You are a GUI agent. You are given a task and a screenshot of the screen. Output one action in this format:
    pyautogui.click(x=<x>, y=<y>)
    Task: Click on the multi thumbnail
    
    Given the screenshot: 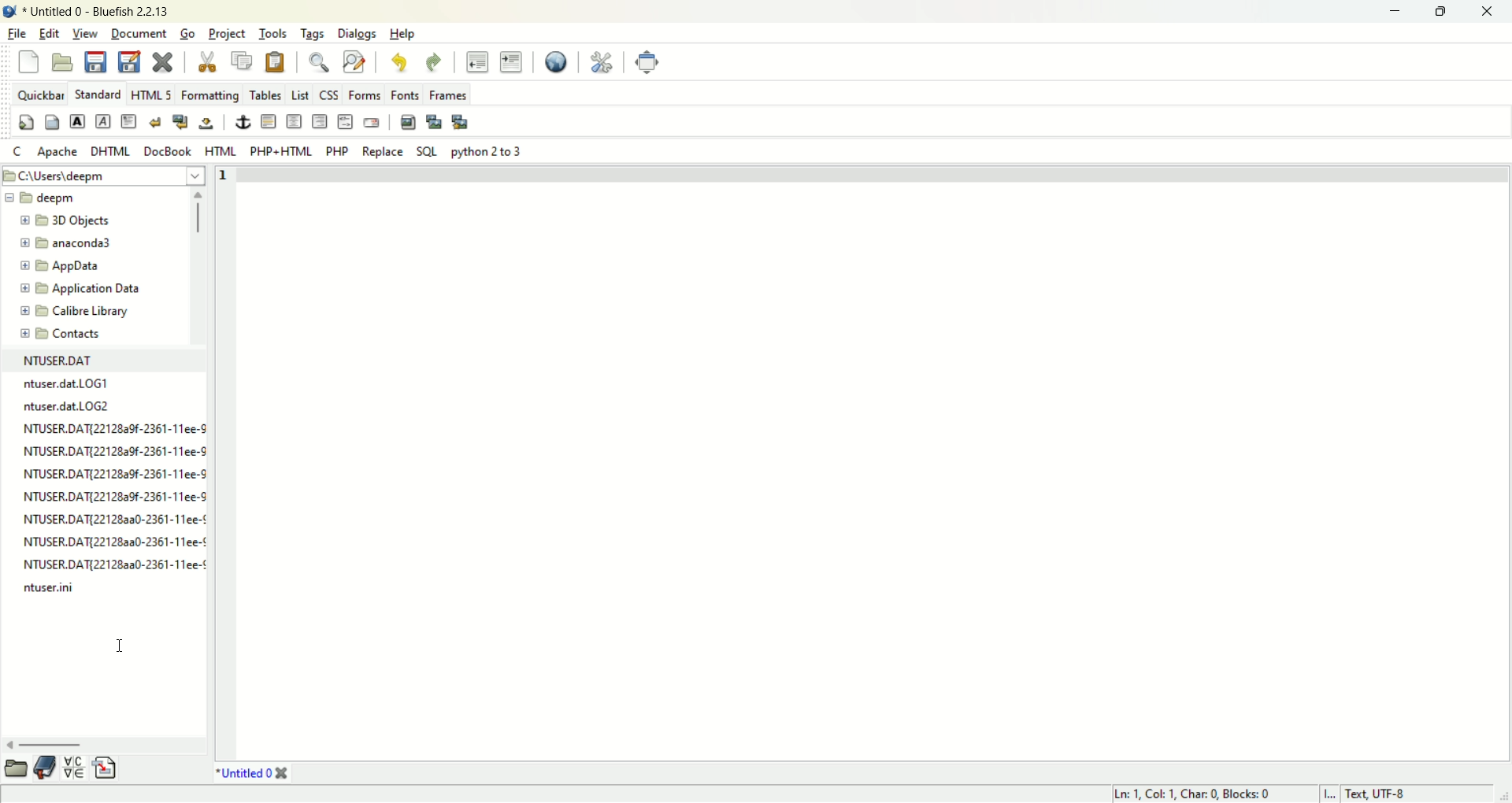 What is the action you would take?
    pyautogui.click(x=462, y=122)
    